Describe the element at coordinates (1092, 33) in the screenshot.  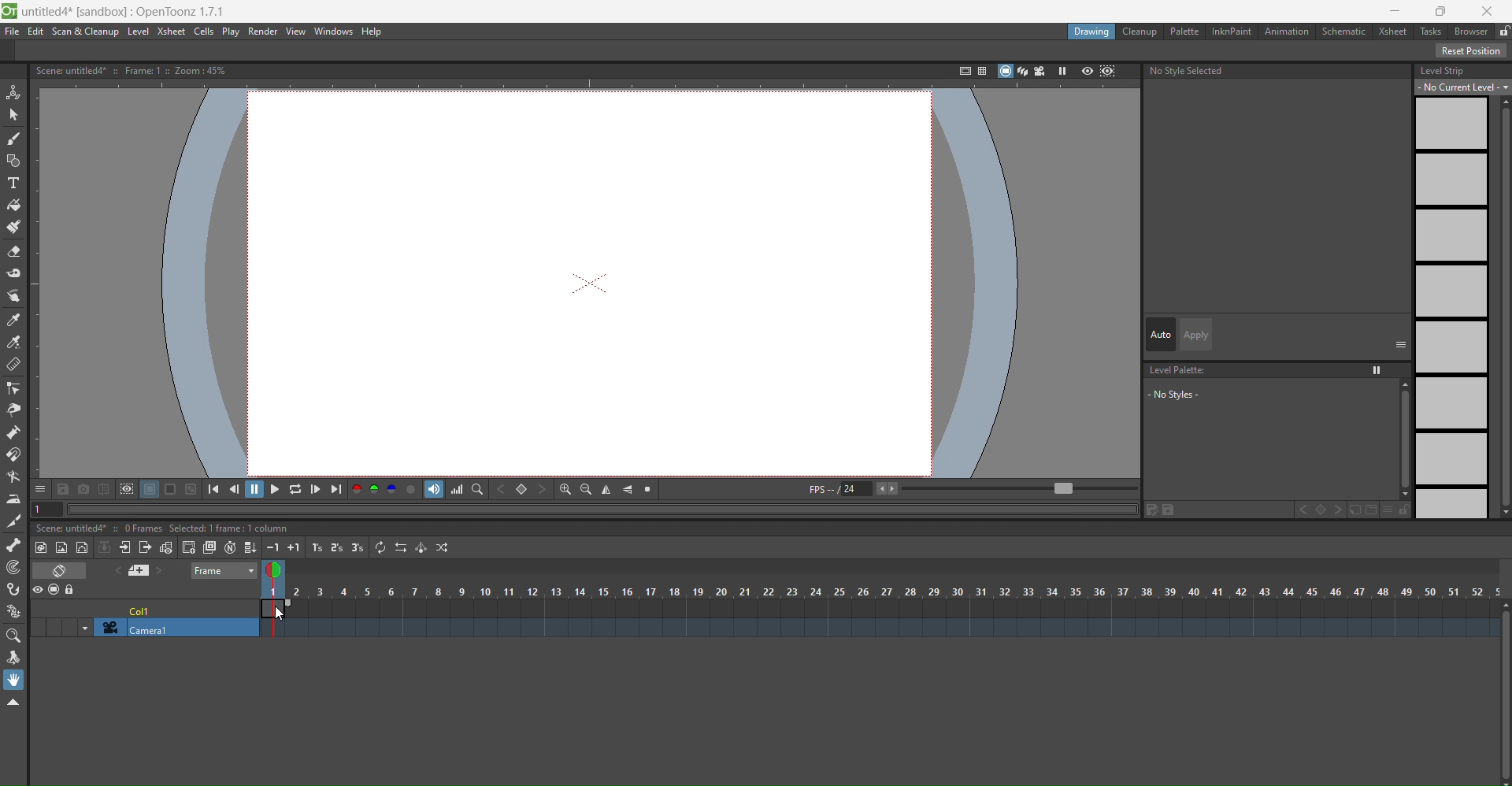
I see `drawing` at that location.